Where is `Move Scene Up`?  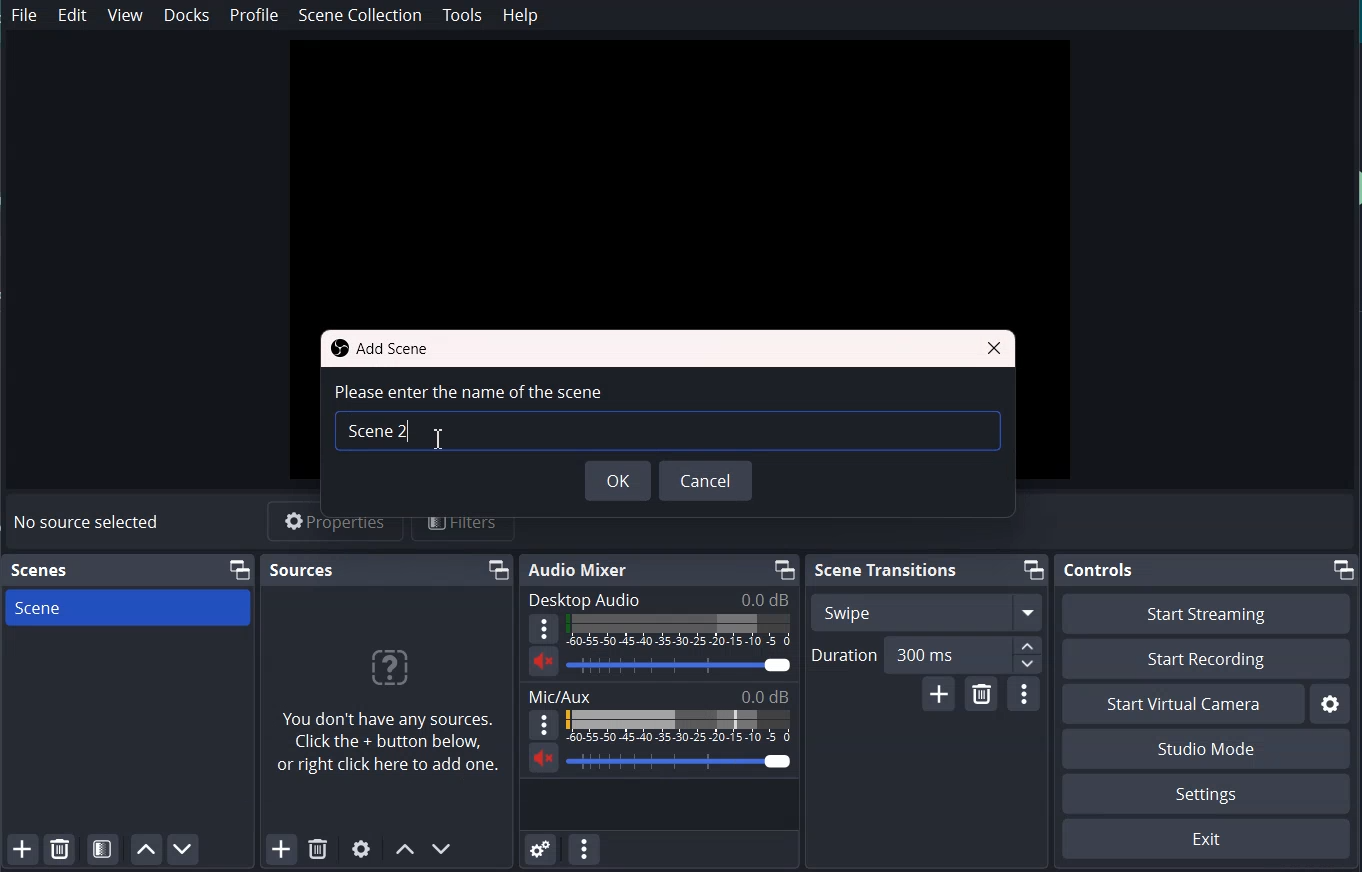 Move Scene Up is located at coordinates (143, 849).